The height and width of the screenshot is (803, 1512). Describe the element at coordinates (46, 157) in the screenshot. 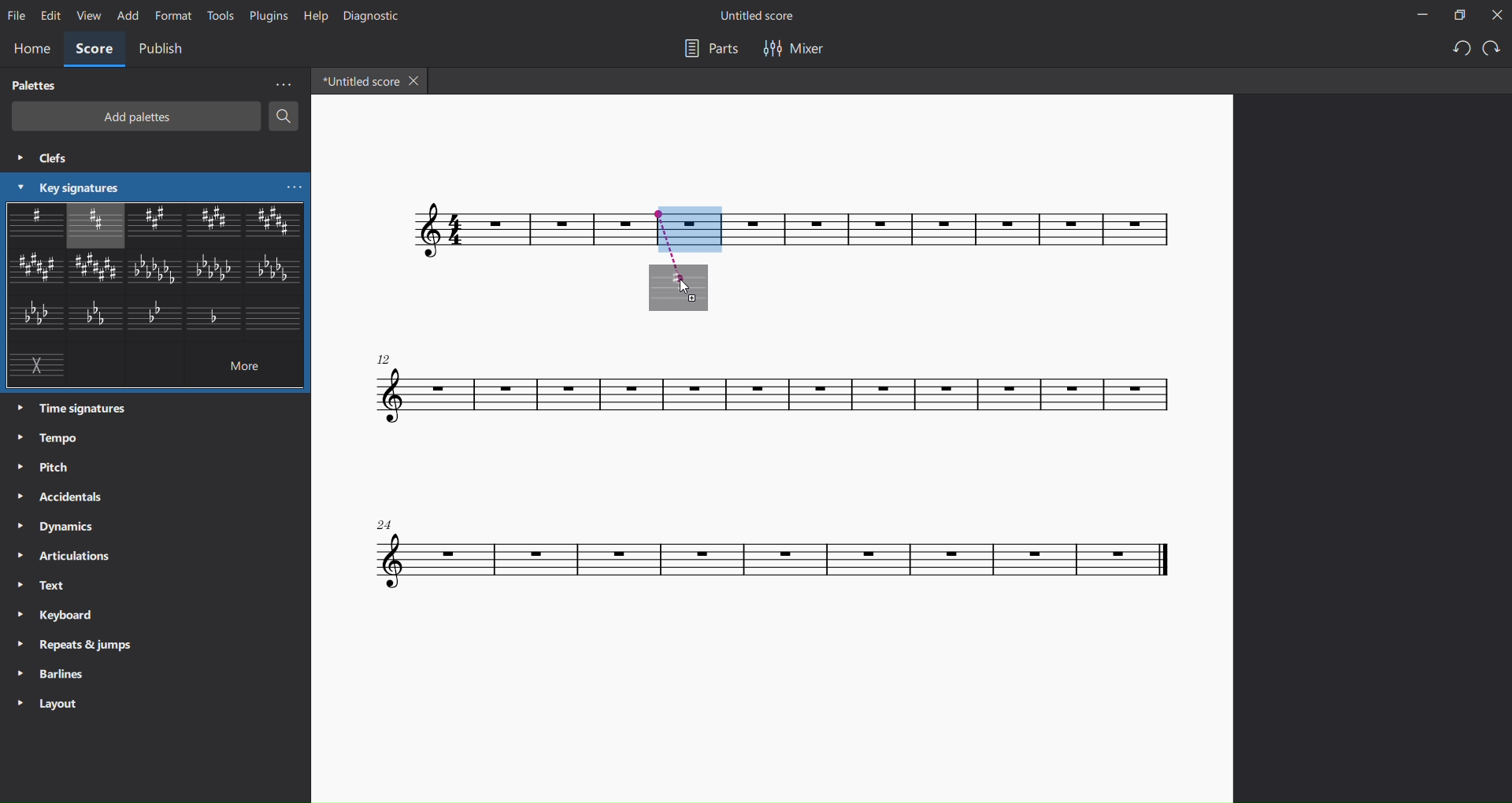

I see `clefs` at that location.